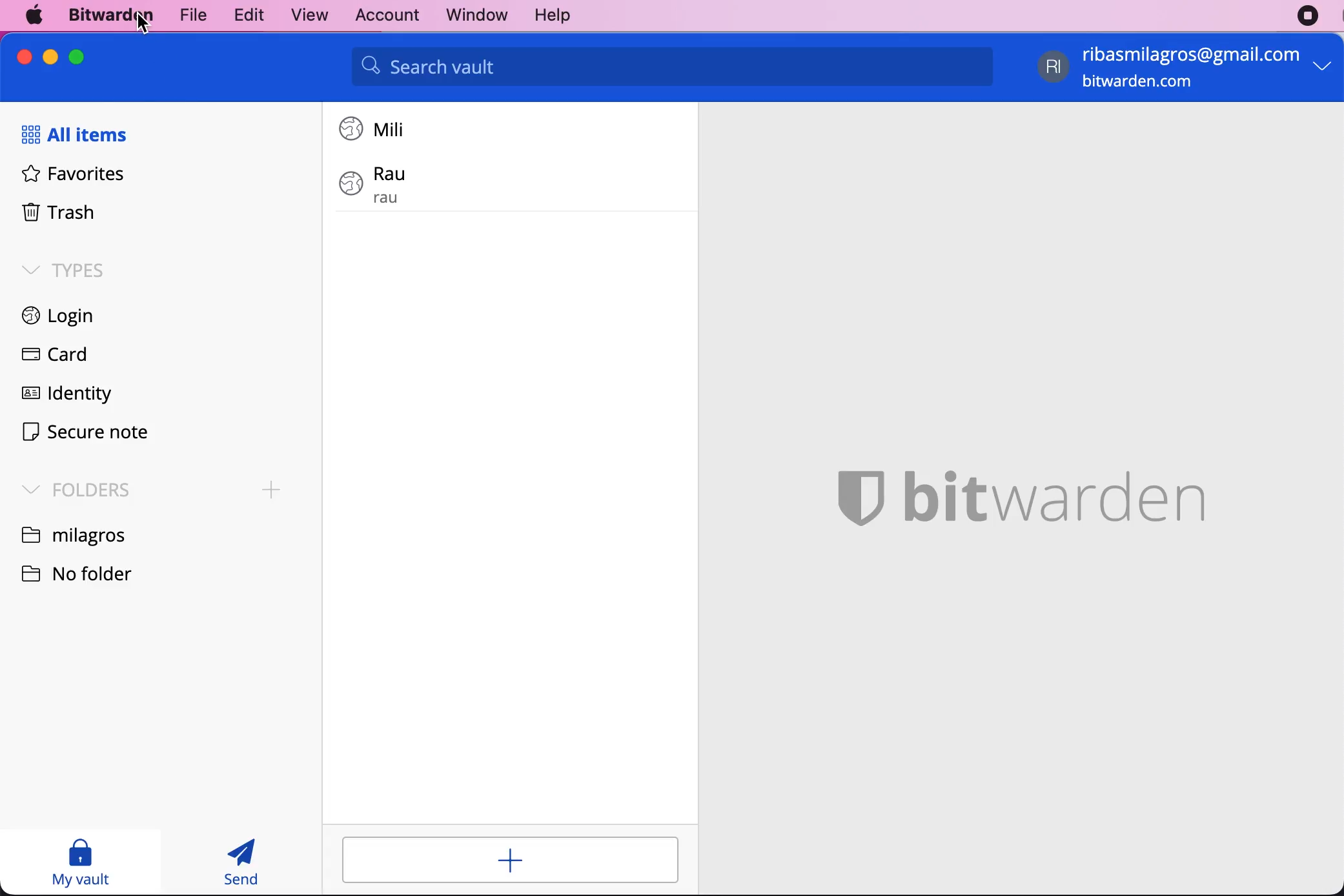 This screenshot has height=896, width=1344. I want to click on edit, so click(245, 14).